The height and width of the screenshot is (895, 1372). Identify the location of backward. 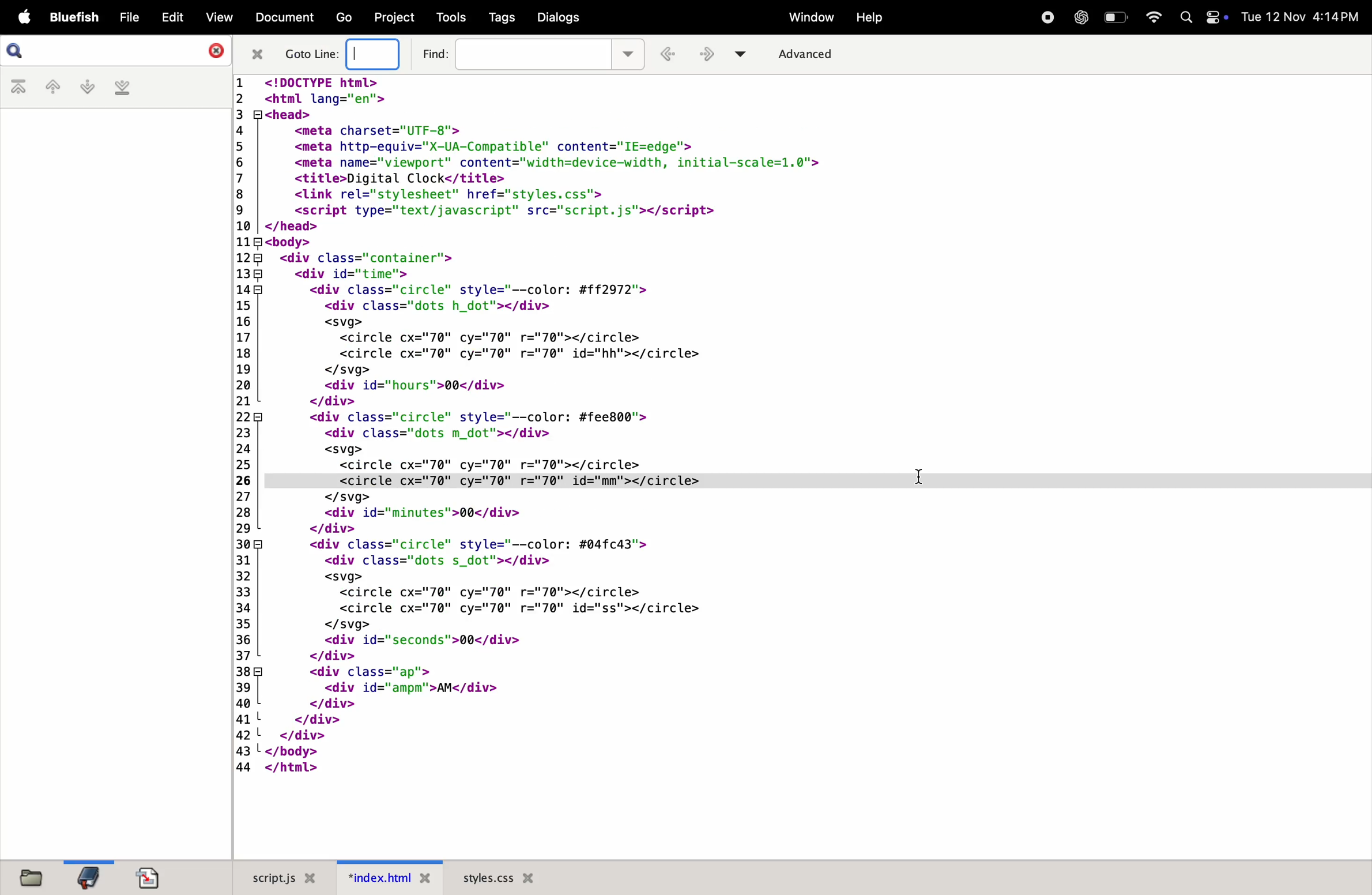
(671, 55).